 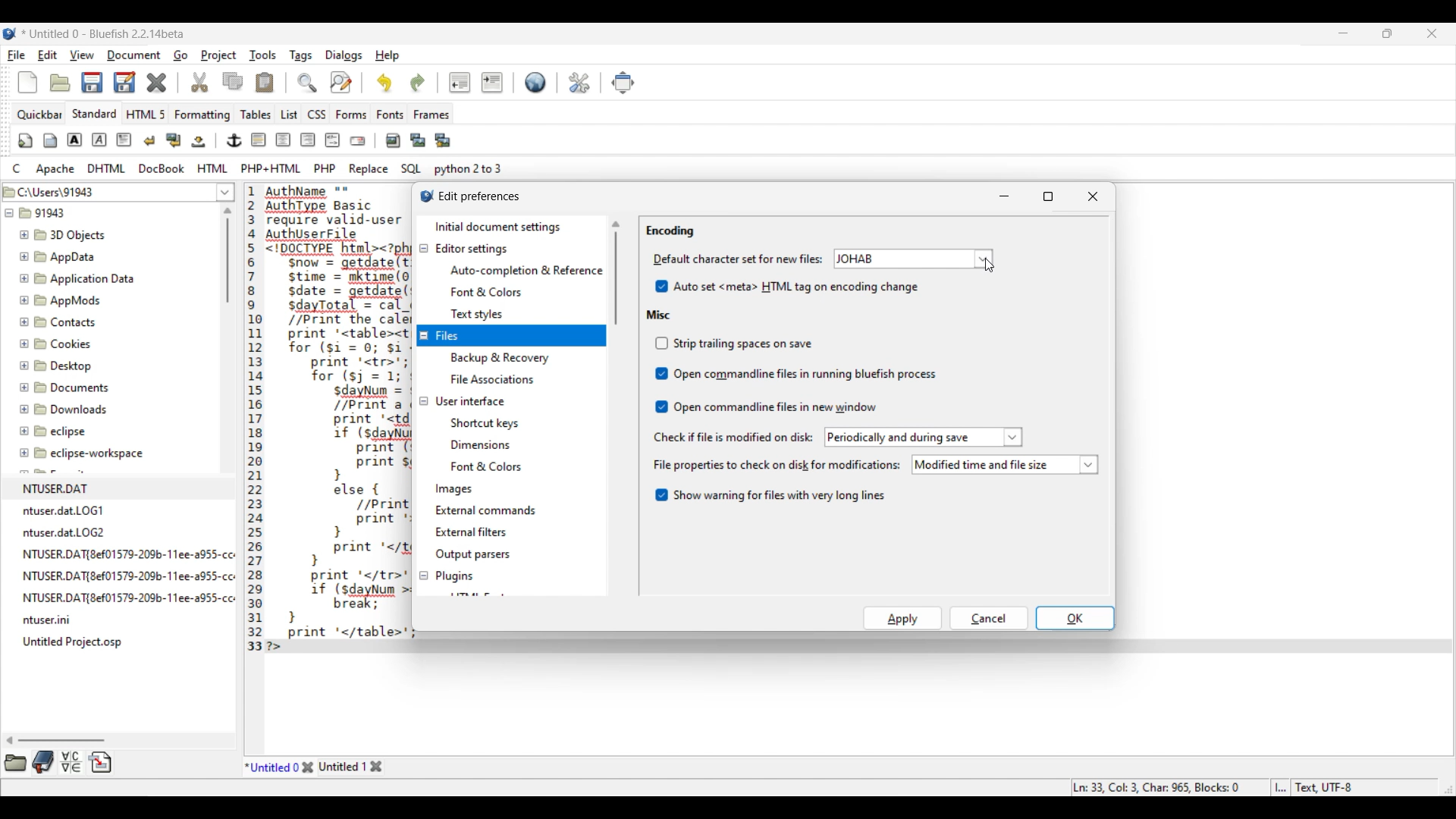 I want to click on OK, so click(x=994, y=617).